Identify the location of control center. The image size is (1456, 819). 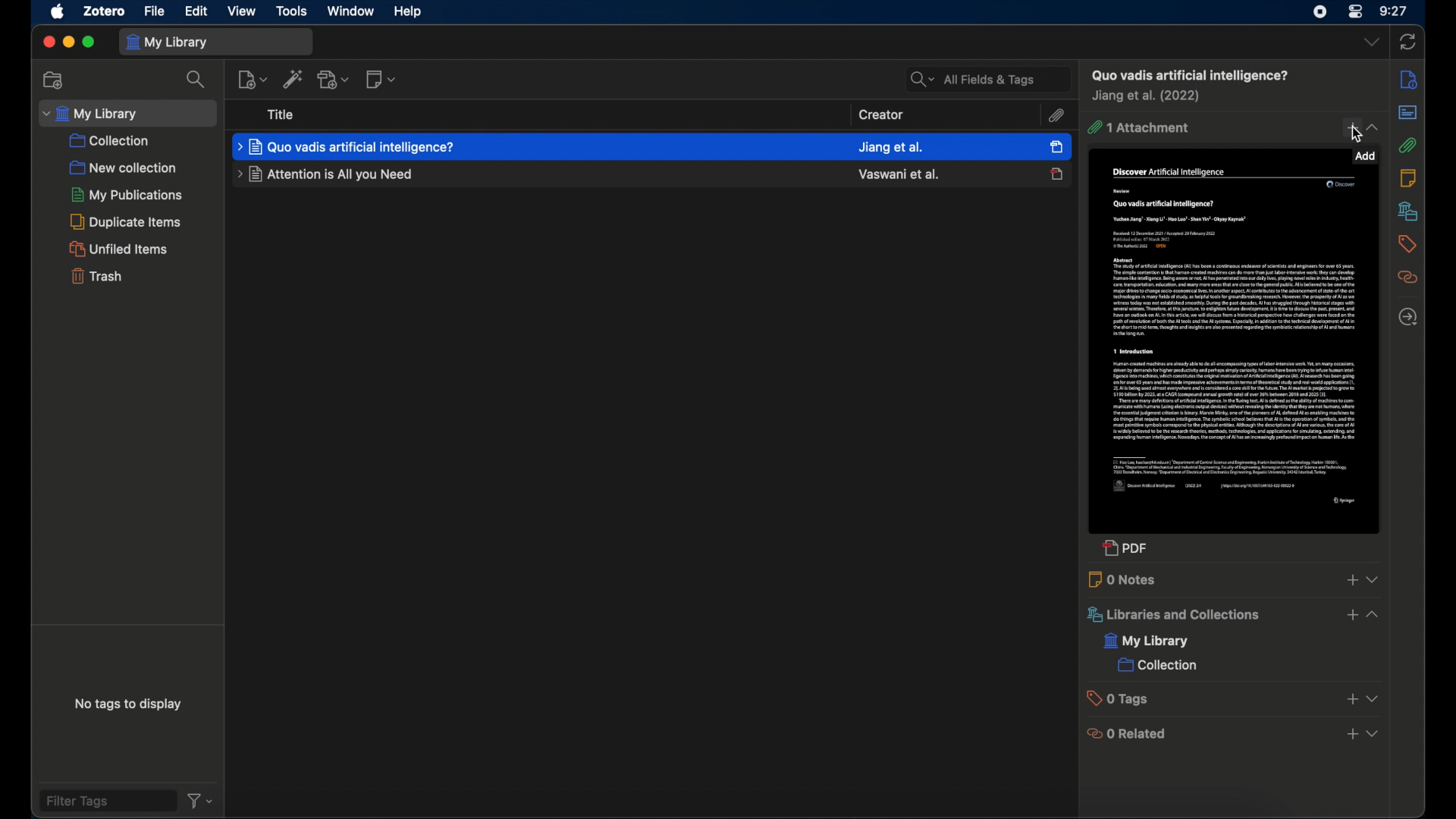
(1356, 13).